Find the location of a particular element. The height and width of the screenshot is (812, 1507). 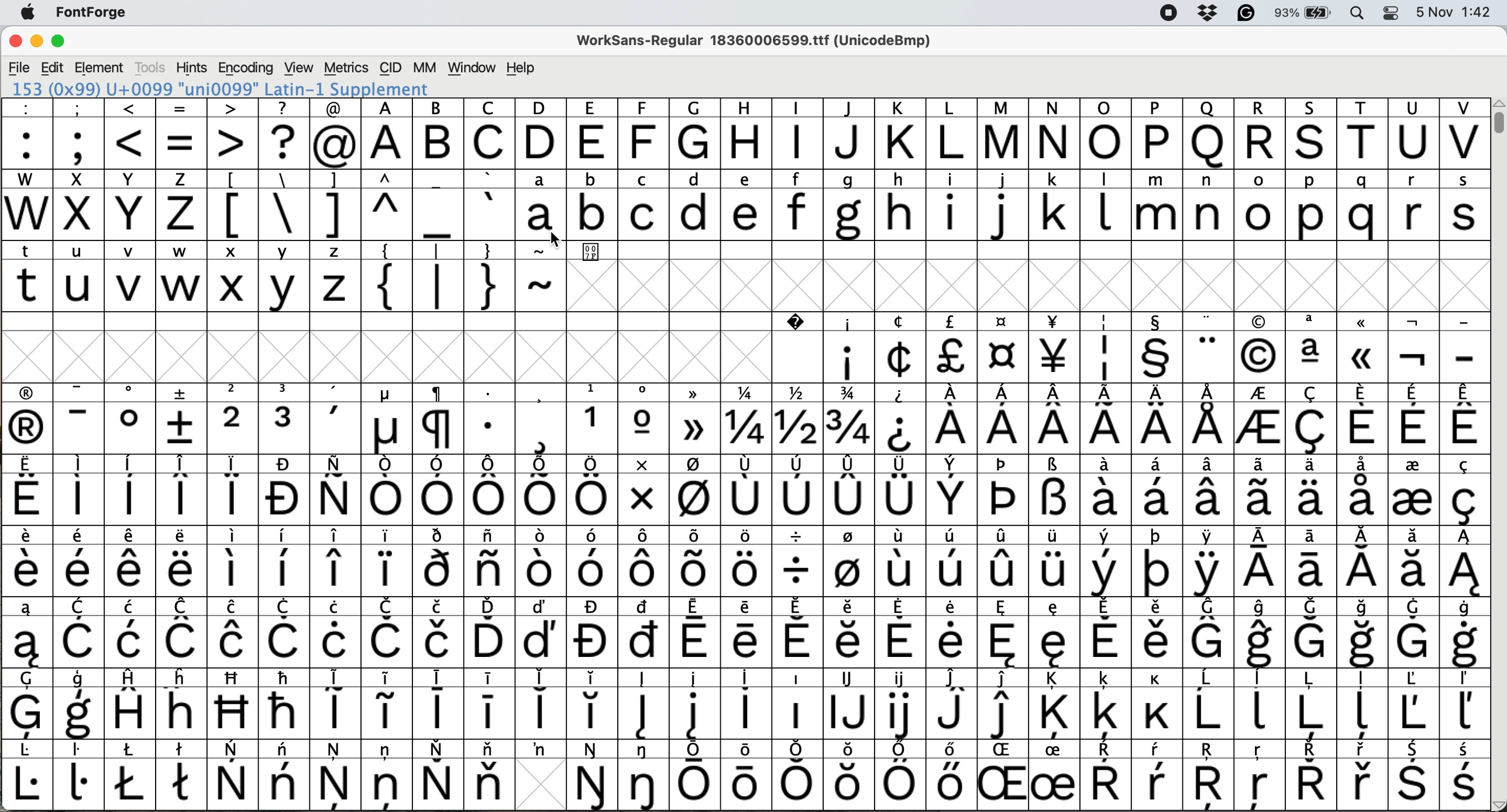

k is located at coordinates (1052, 205).